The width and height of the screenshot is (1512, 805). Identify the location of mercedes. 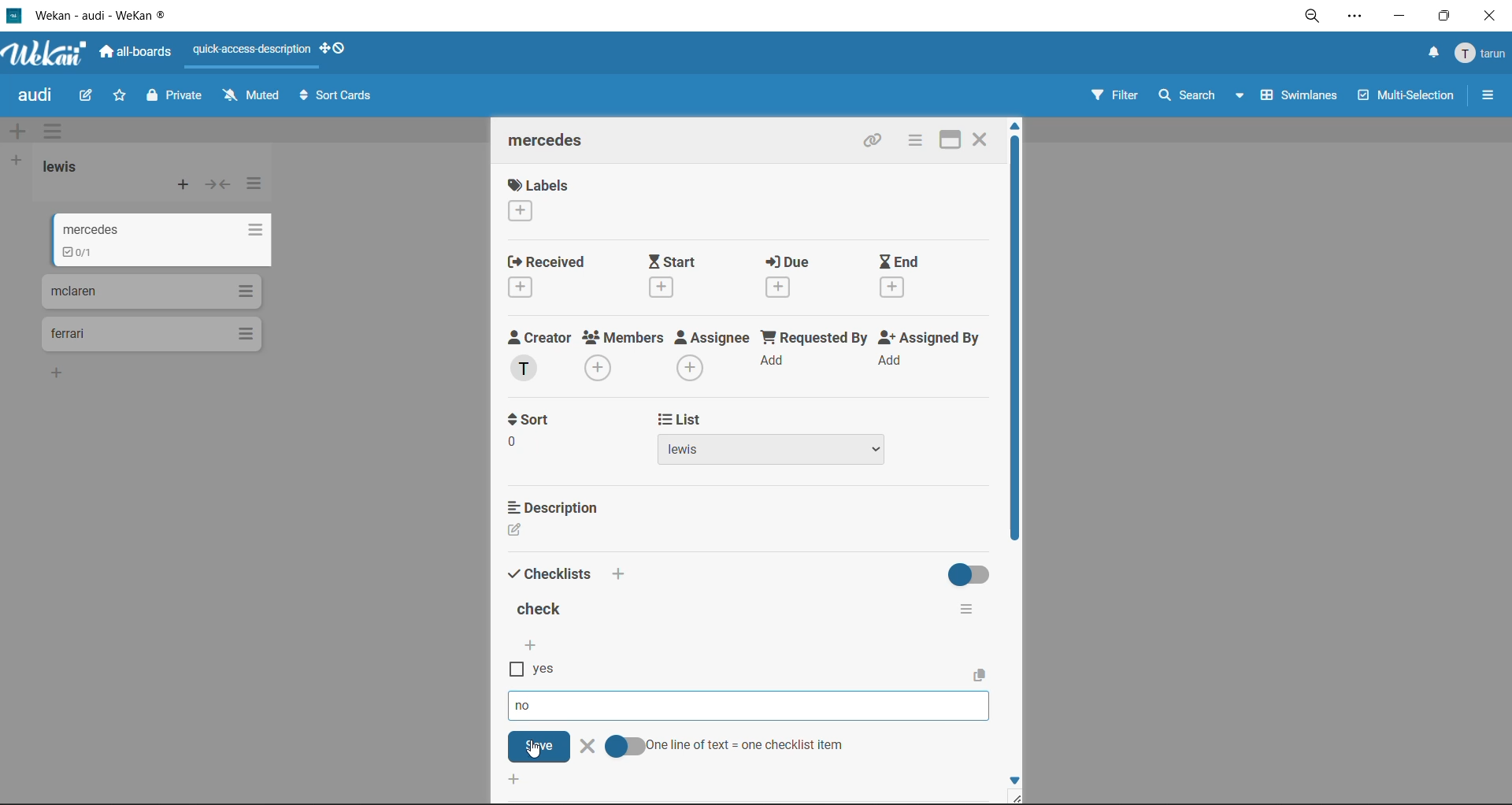
(167, 228).